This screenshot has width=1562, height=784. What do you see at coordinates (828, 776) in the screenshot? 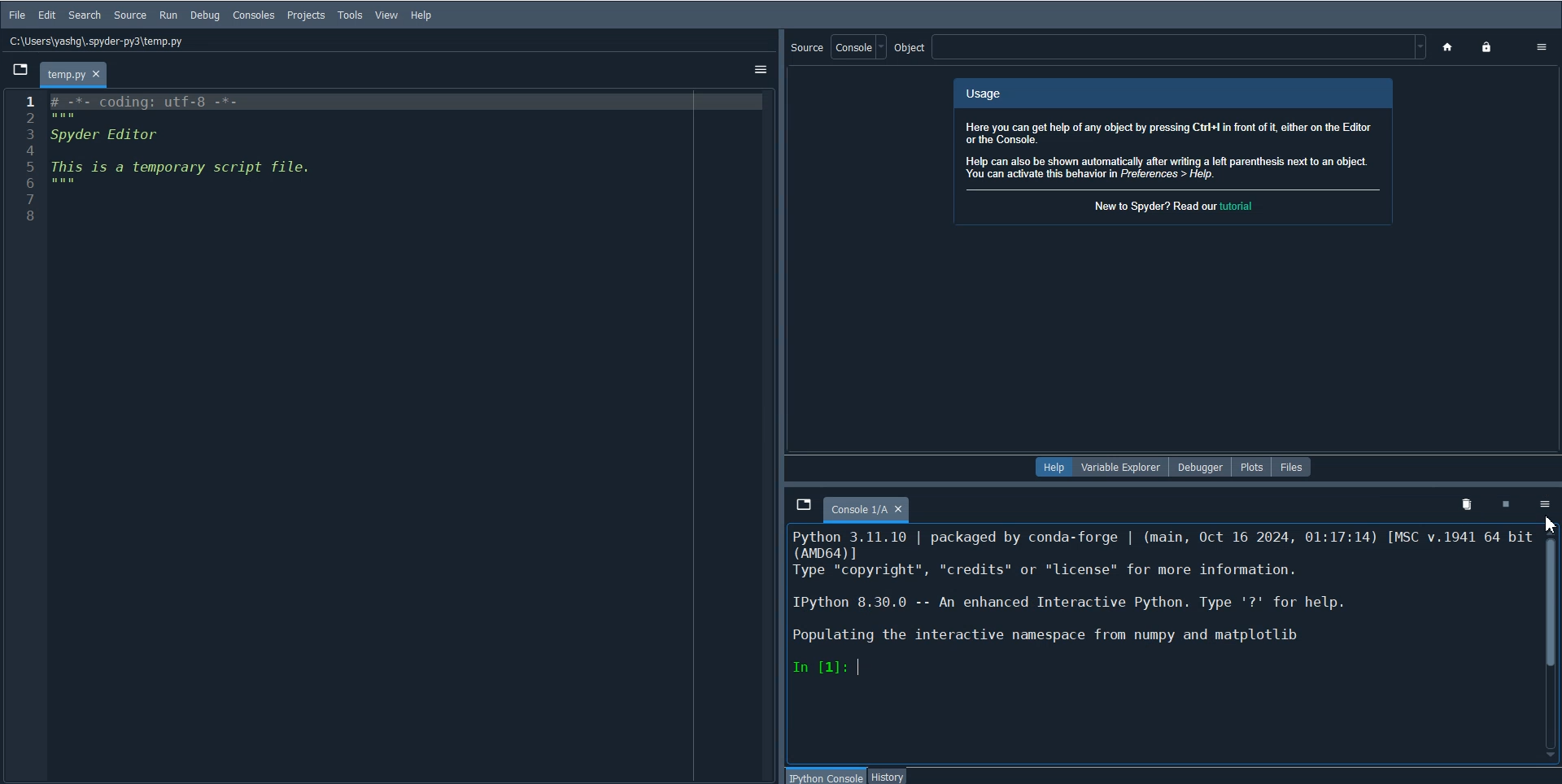
I see `IPython console` at bounding box center [828, 776].